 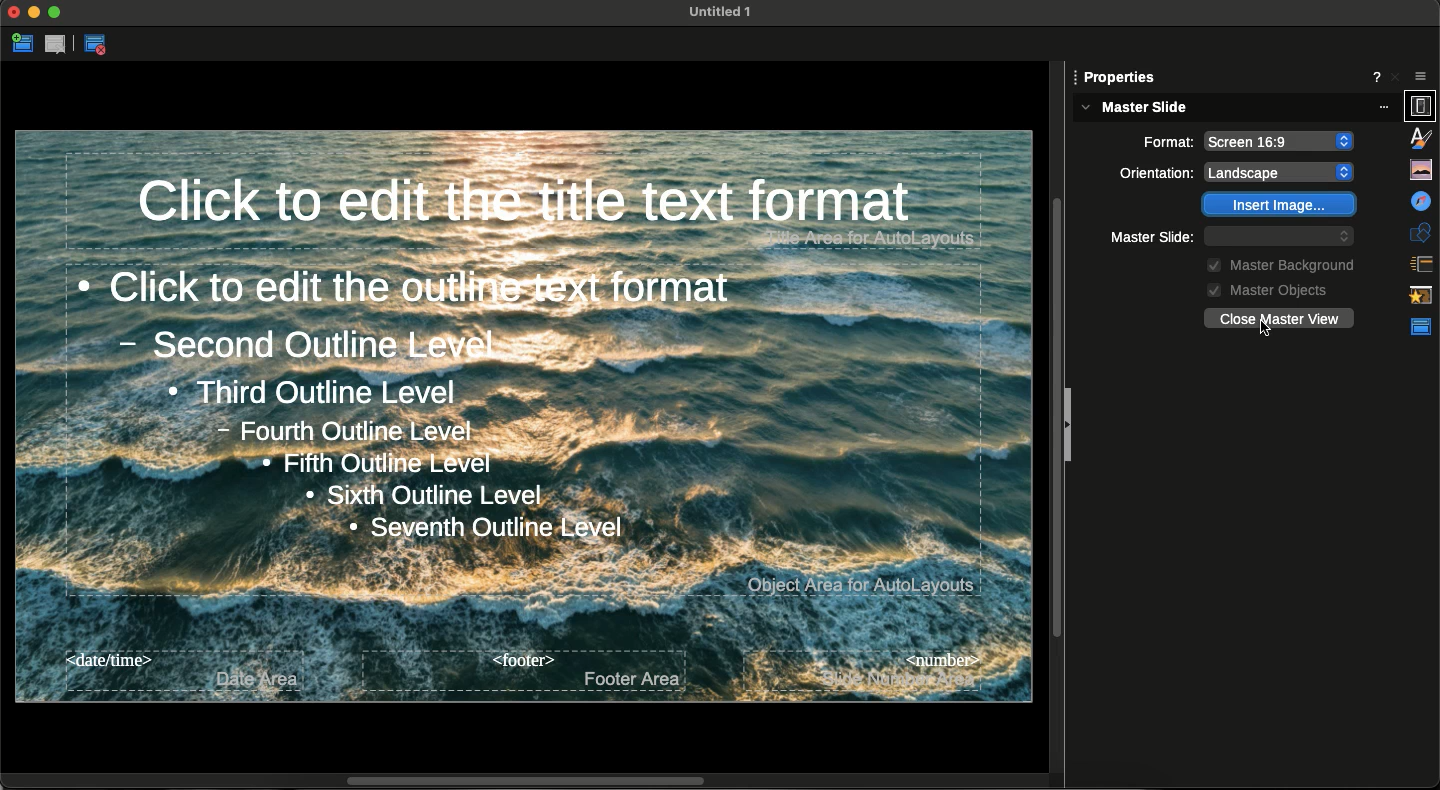 I want to click on Properties, so click(x=1421, y=71).